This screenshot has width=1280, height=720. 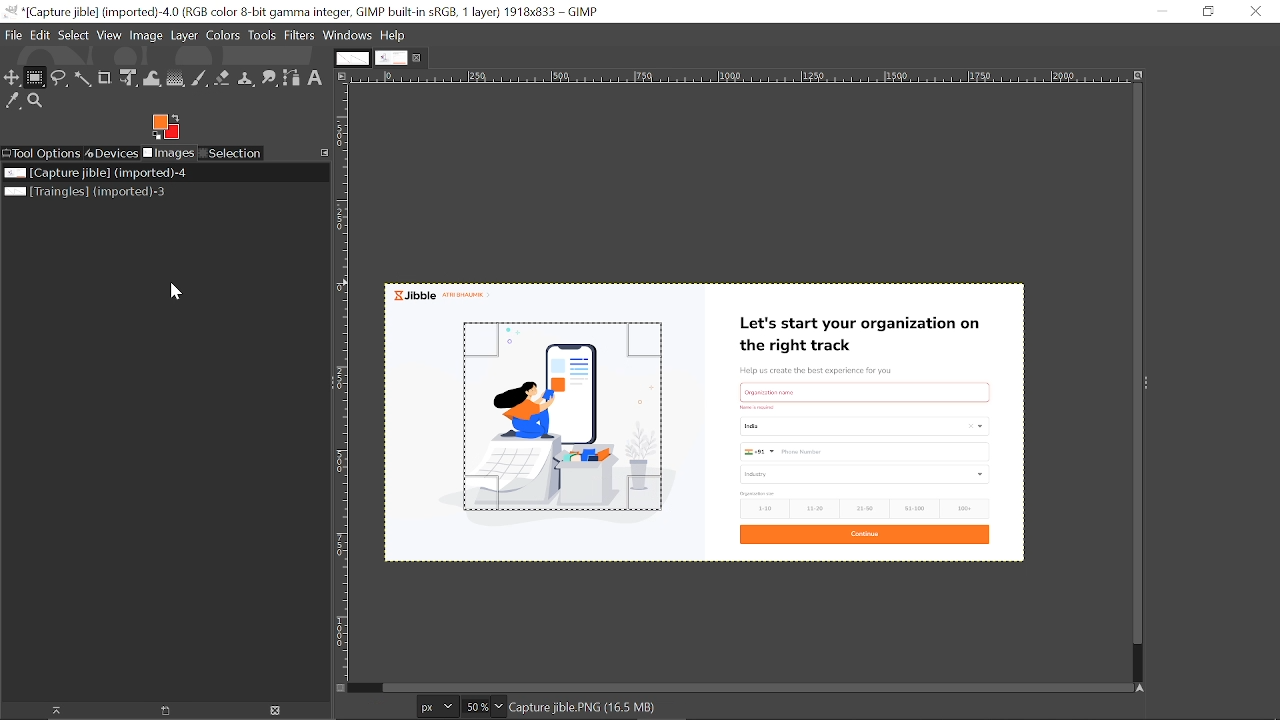 I want to click on Devices, so click(x=115, y=152).